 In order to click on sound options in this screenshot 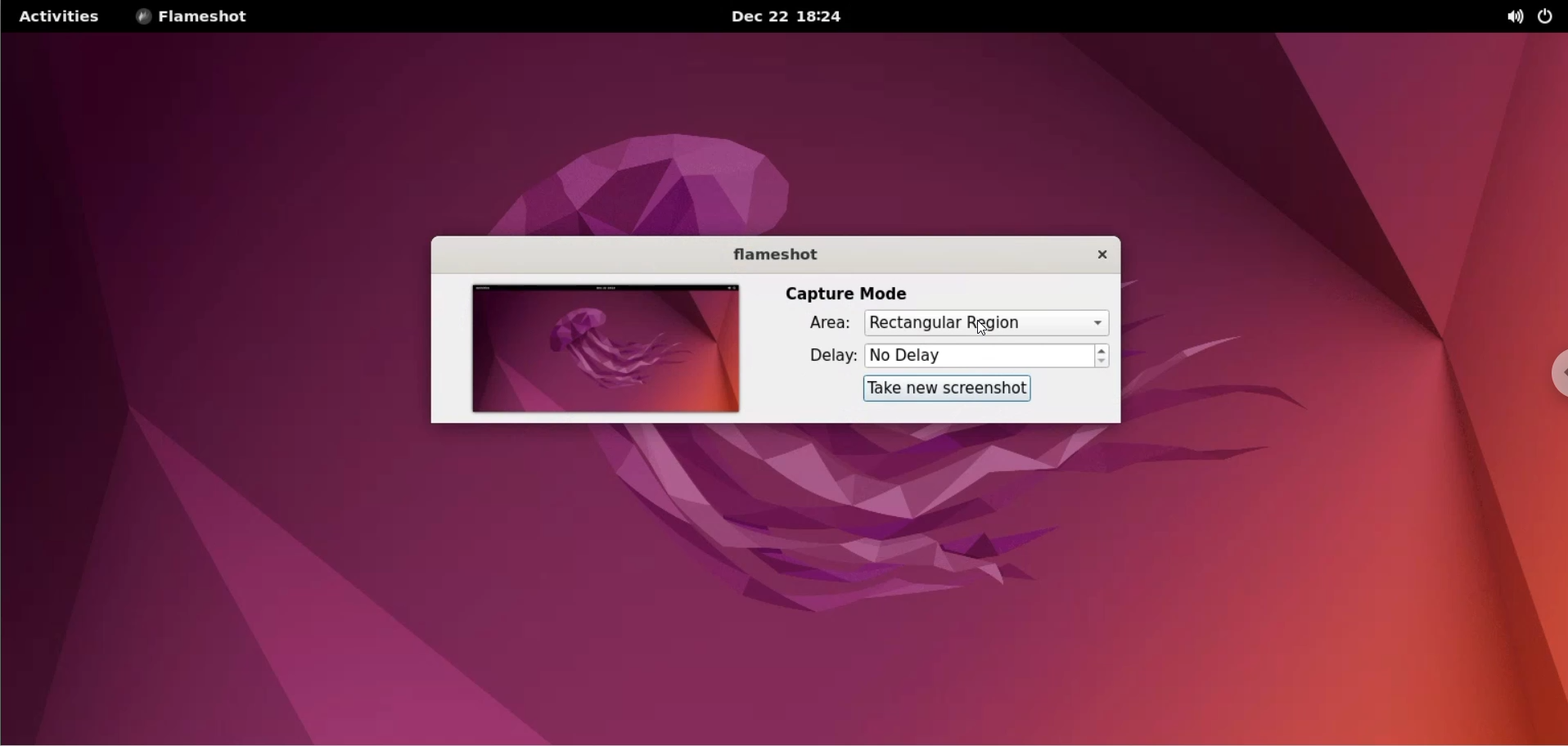, I will do `click(1512, 17)`.